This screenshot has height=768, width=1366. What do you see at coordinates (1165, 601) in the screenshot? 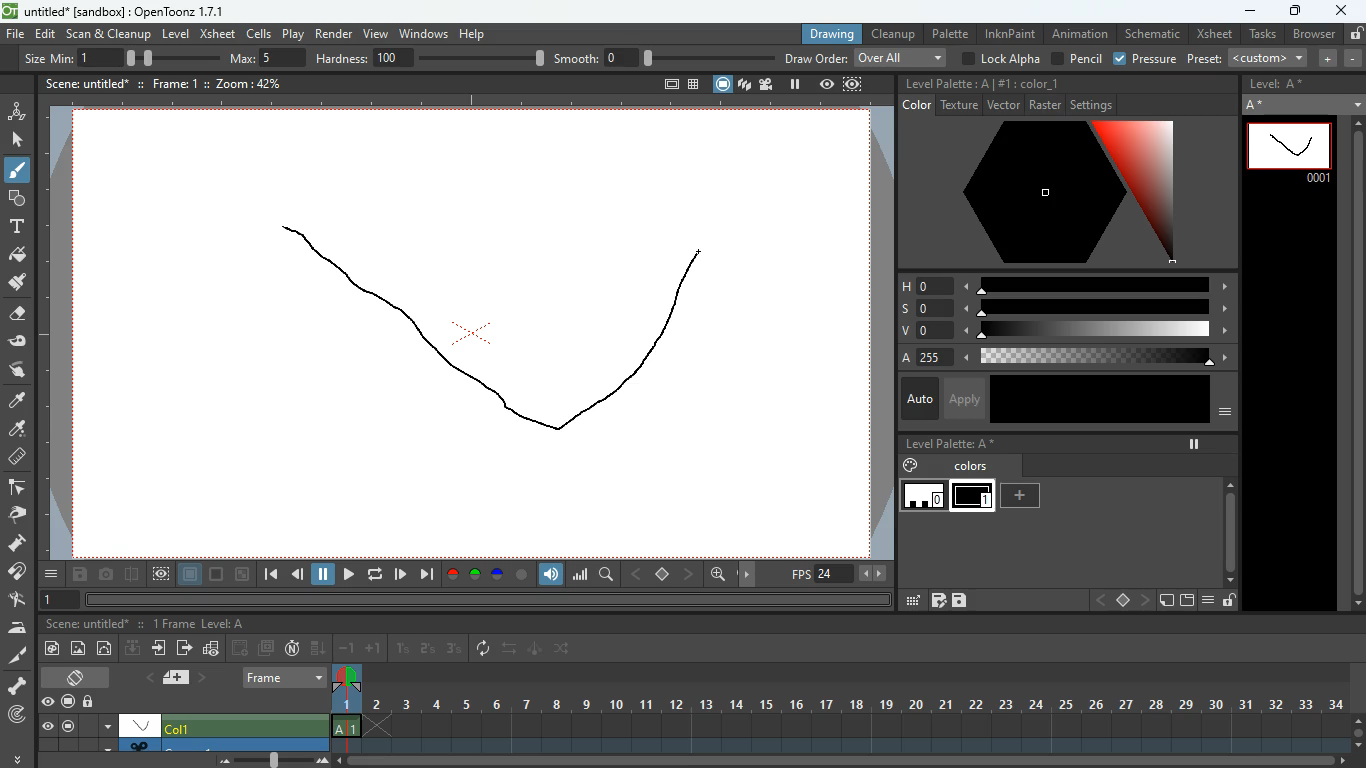
I see `sticker` at bounding box center [1165, 601].